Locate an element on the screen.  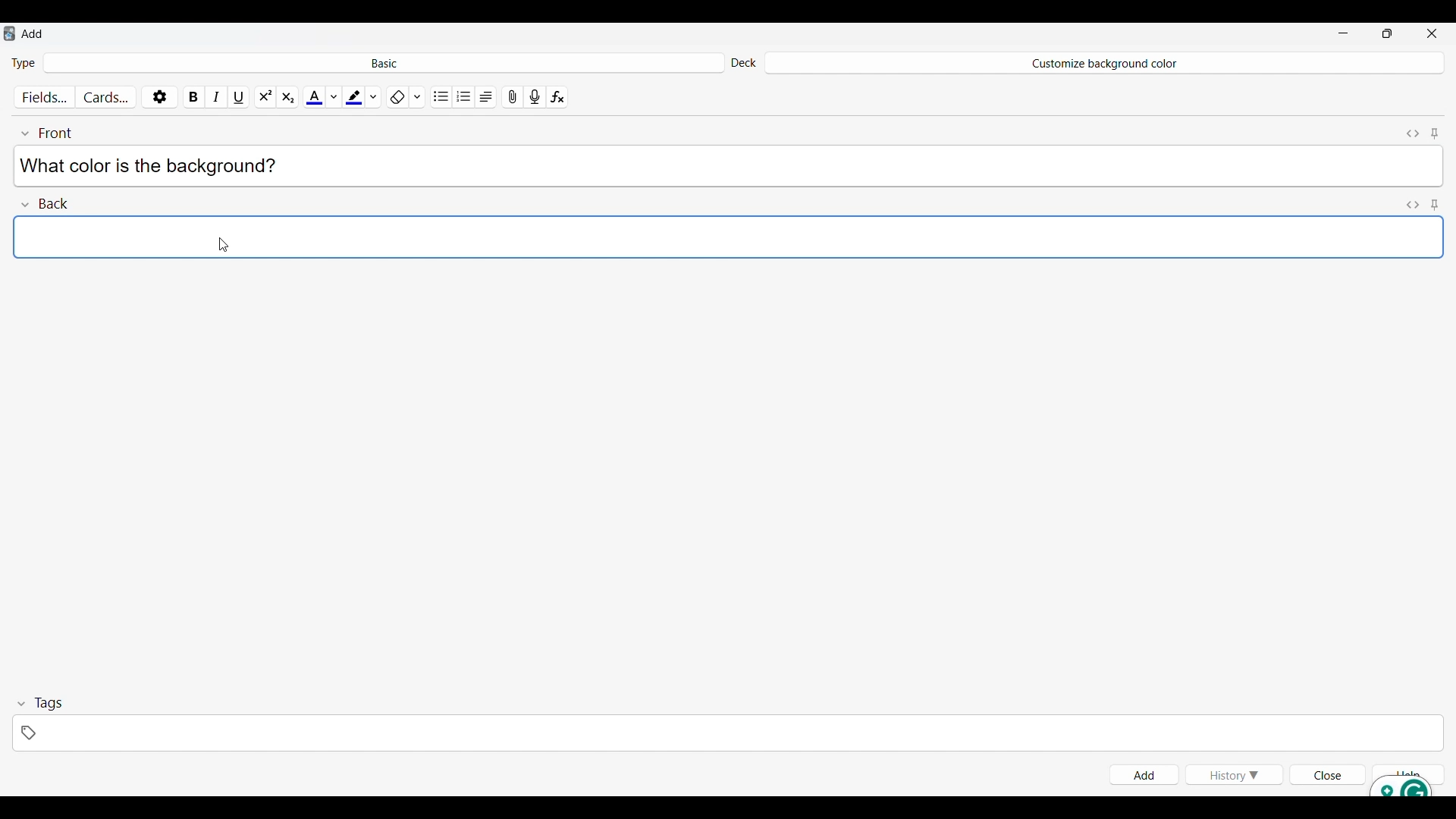
Toggle HTML editor is located at coordinates (1414, 203).